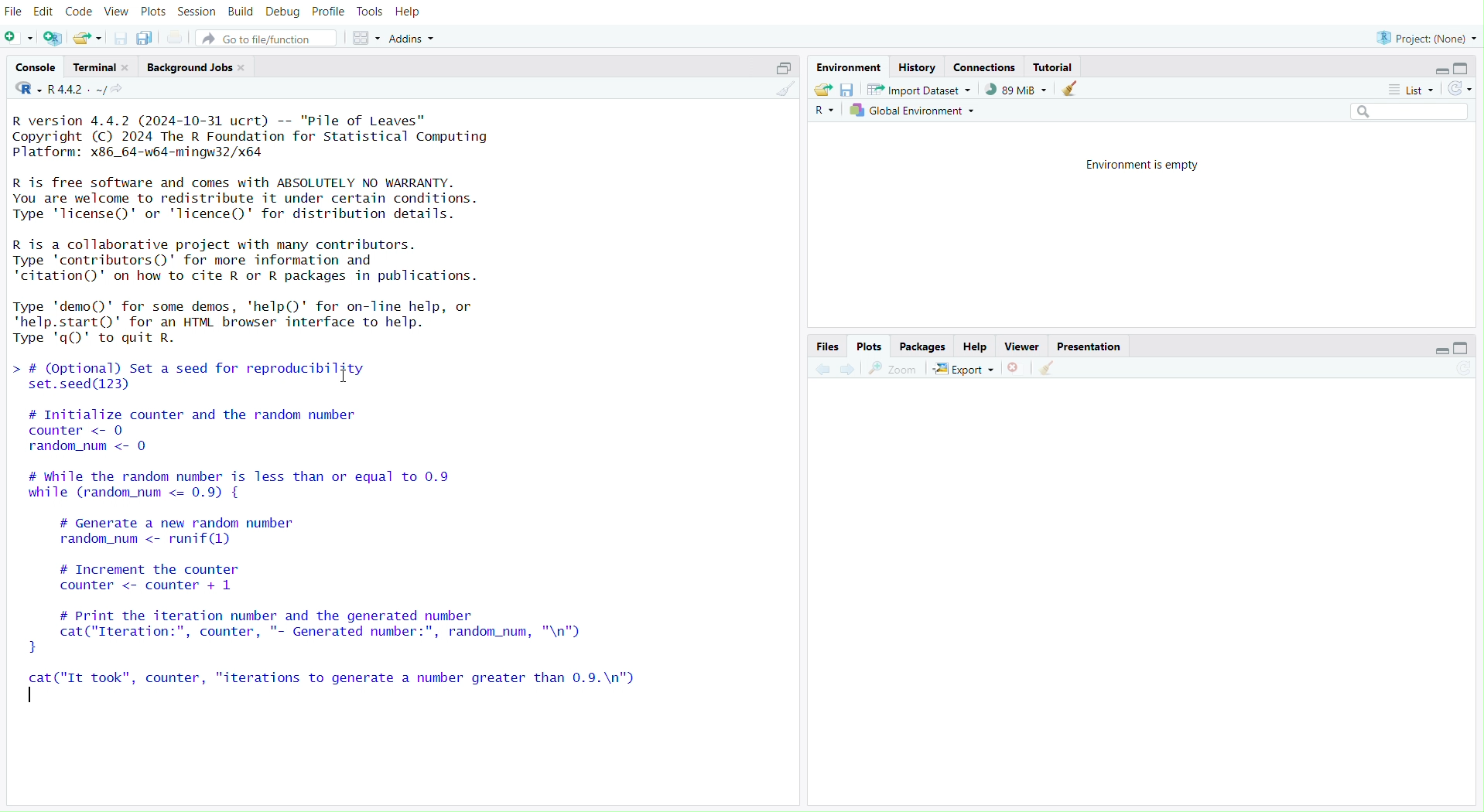  I want to click on Clear Console (Ctrl + L), so click(1050, 366).